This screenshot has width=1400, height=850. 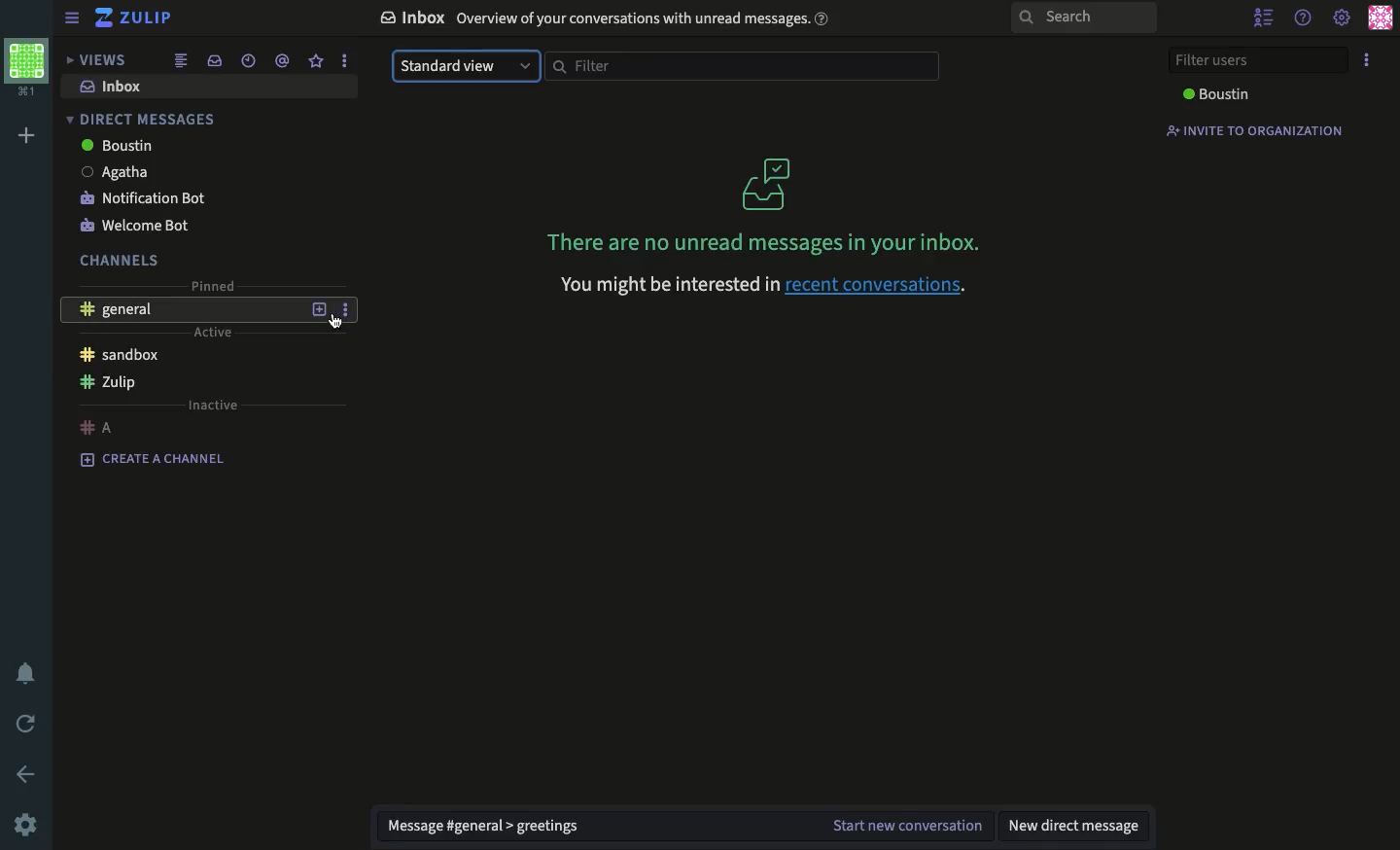 What do you see at coordinates (744, 65) in the screenshot?
I see `filter` at bounding box center [744, 65].